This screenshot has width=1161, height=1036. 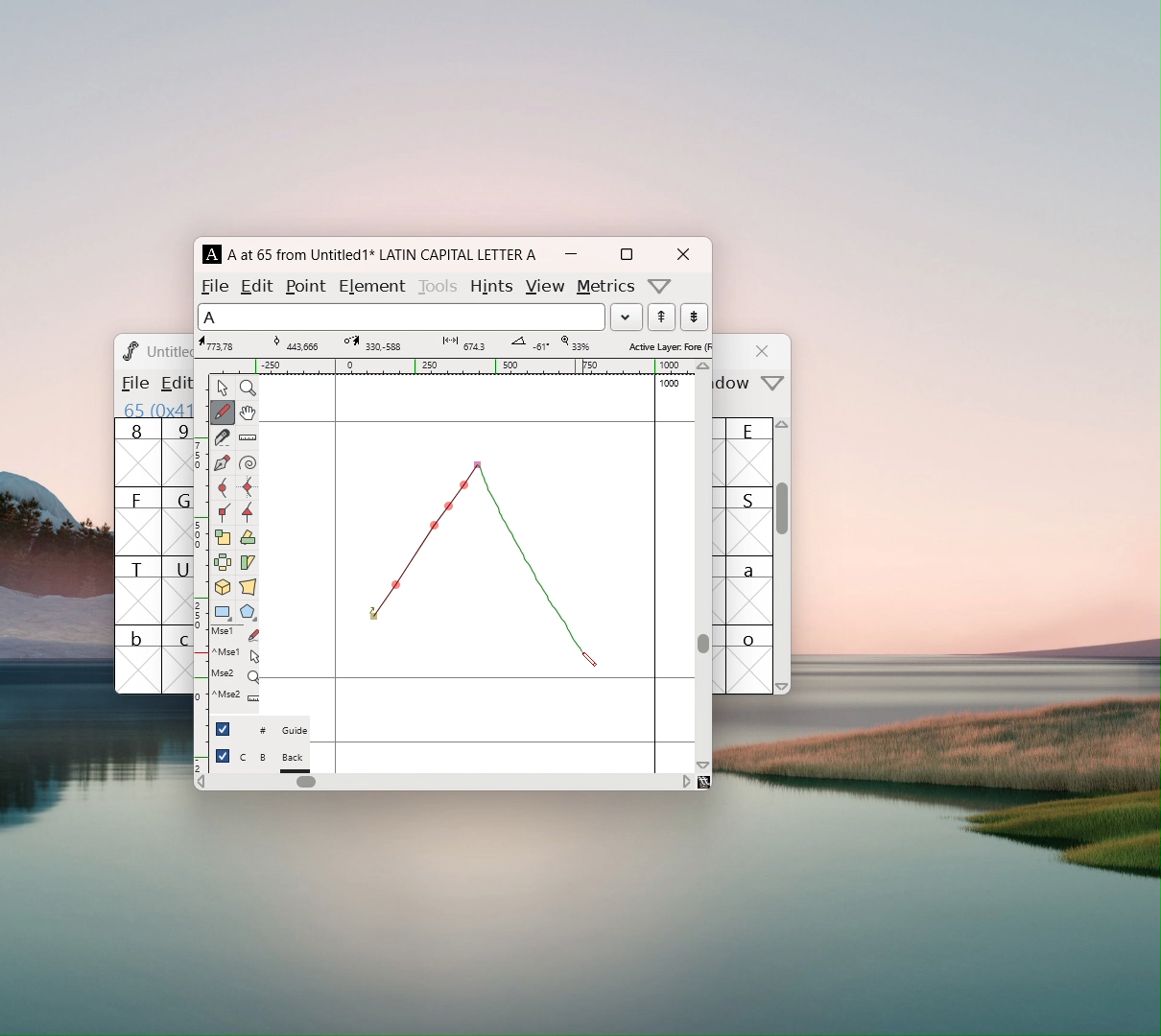 I want to click on rotate the selection, so click(x=247, y=539).